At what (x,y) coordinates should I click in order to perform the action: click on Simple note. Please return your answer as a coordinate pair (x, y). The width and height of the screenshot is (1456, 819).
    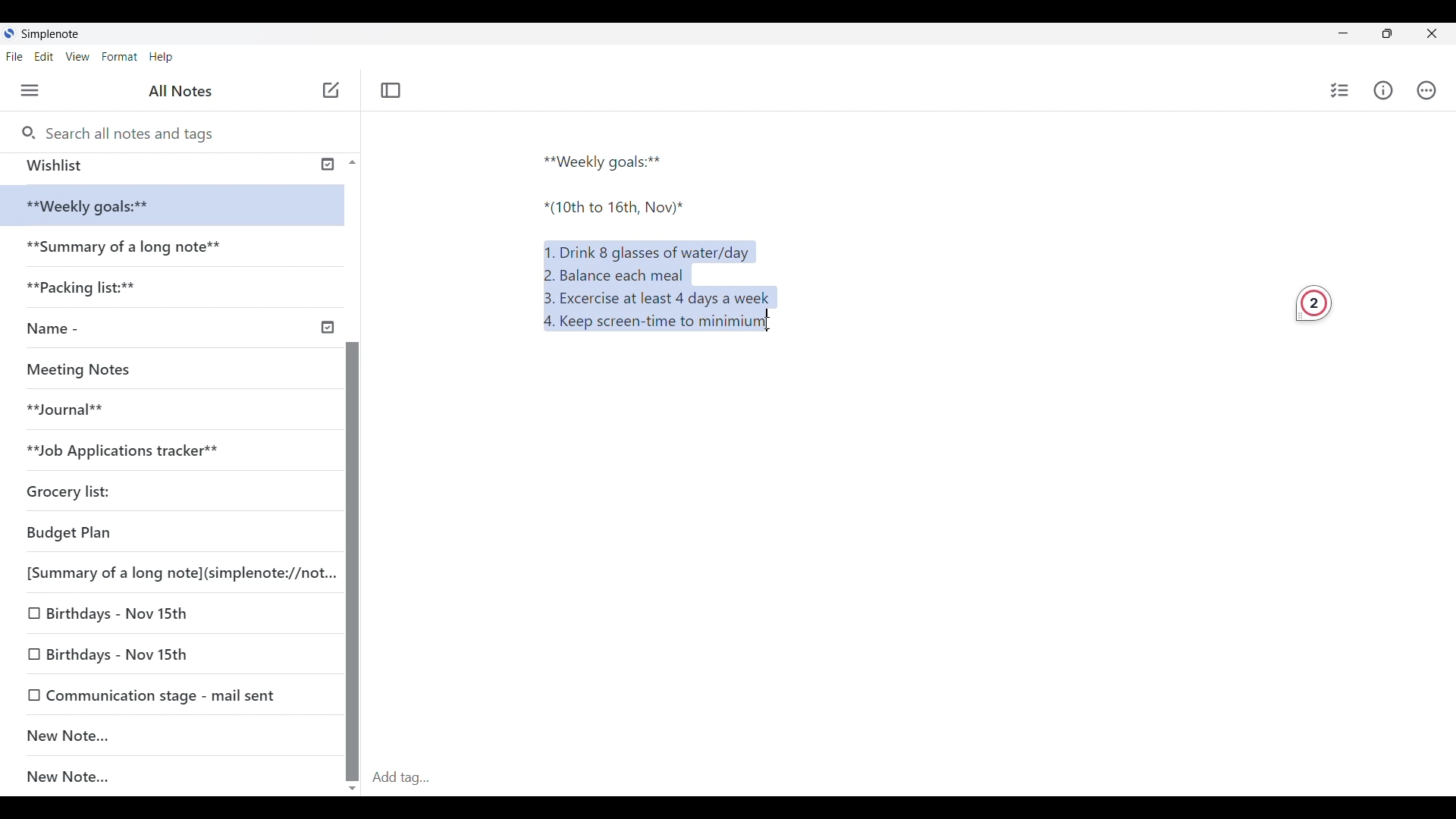
    Looking at the image, I should click on (52, 33).